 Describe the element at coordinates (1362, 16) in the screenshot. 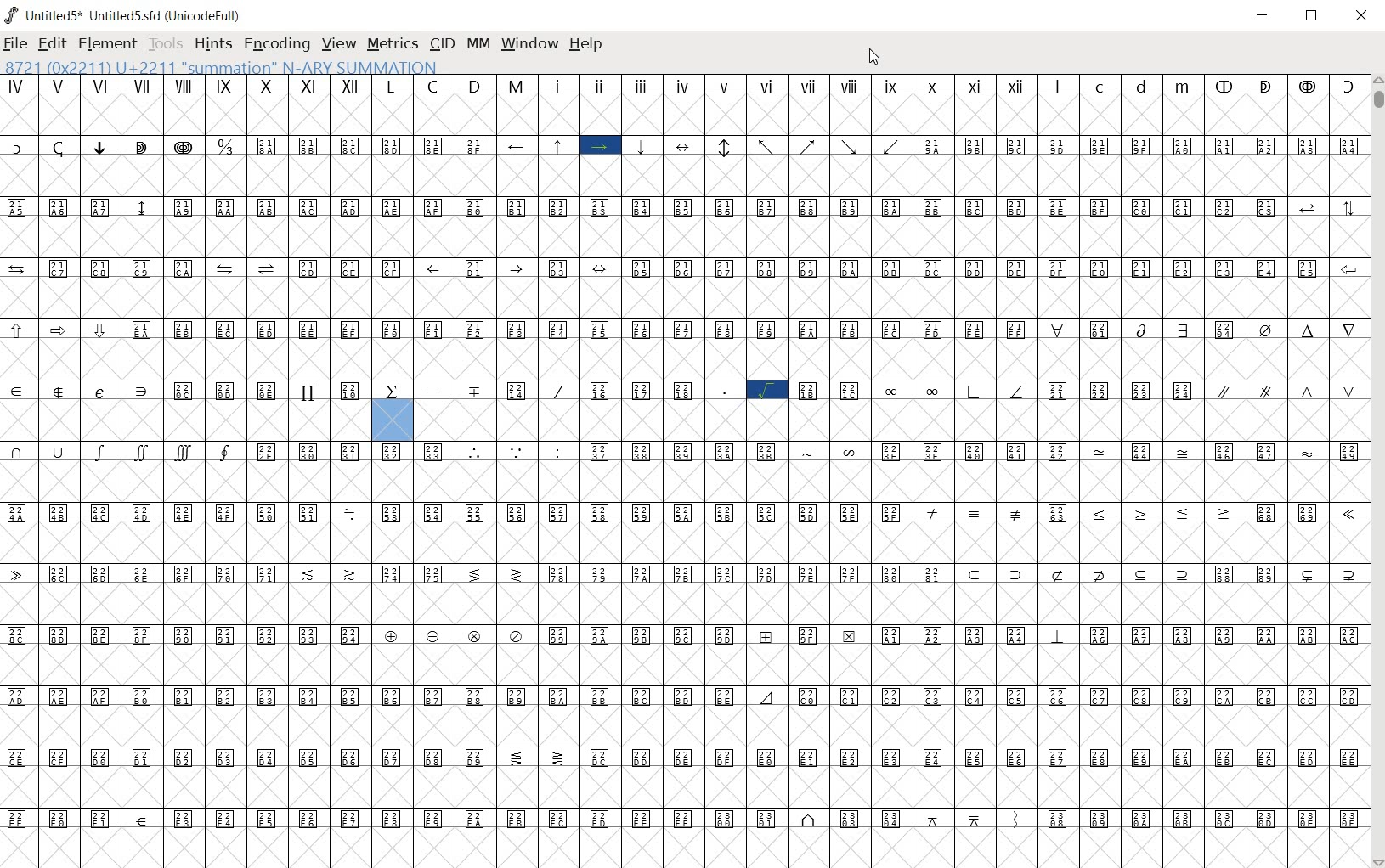

I see `CLOSE` at that location.